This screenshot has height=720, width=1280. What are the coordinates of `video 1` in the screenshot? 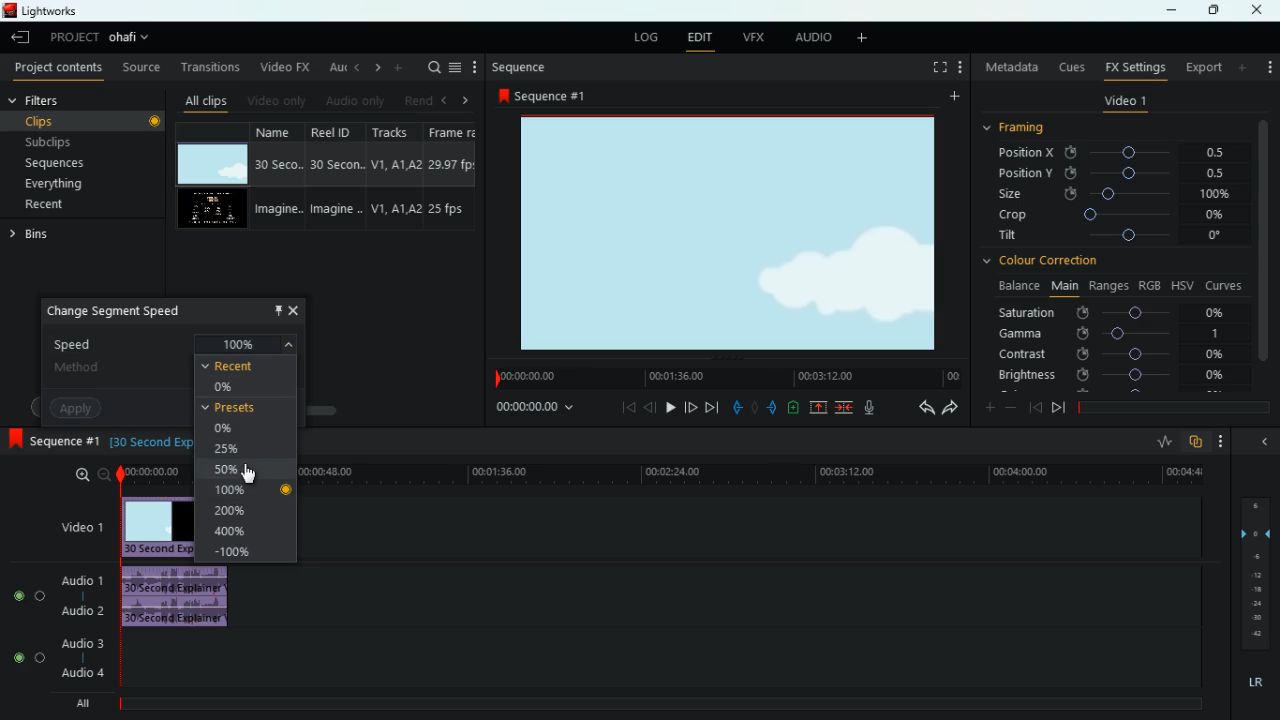 It's located at (1123, 102).